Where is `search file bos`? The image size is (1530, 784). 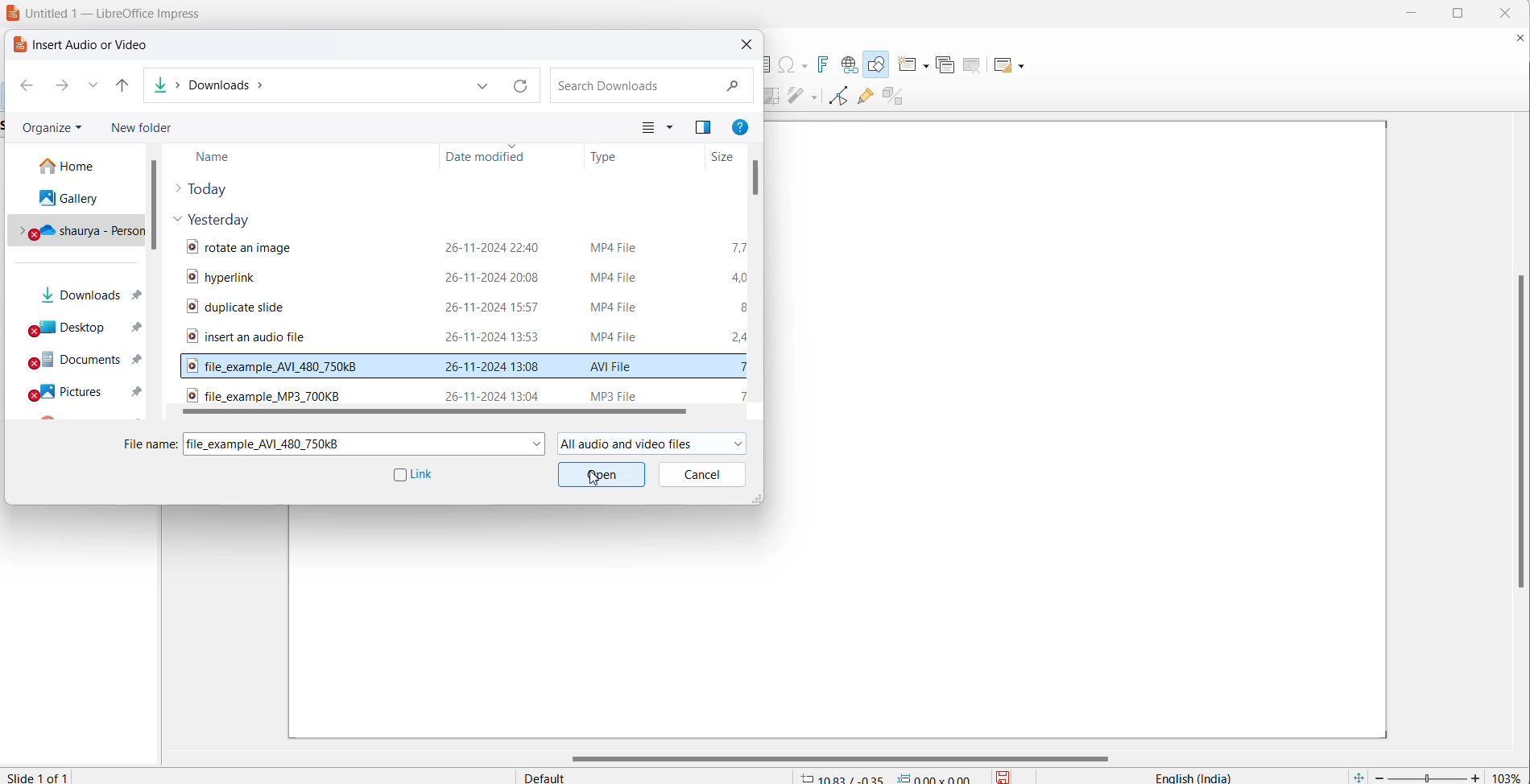 search file bos is located at coordinates (655, 85).